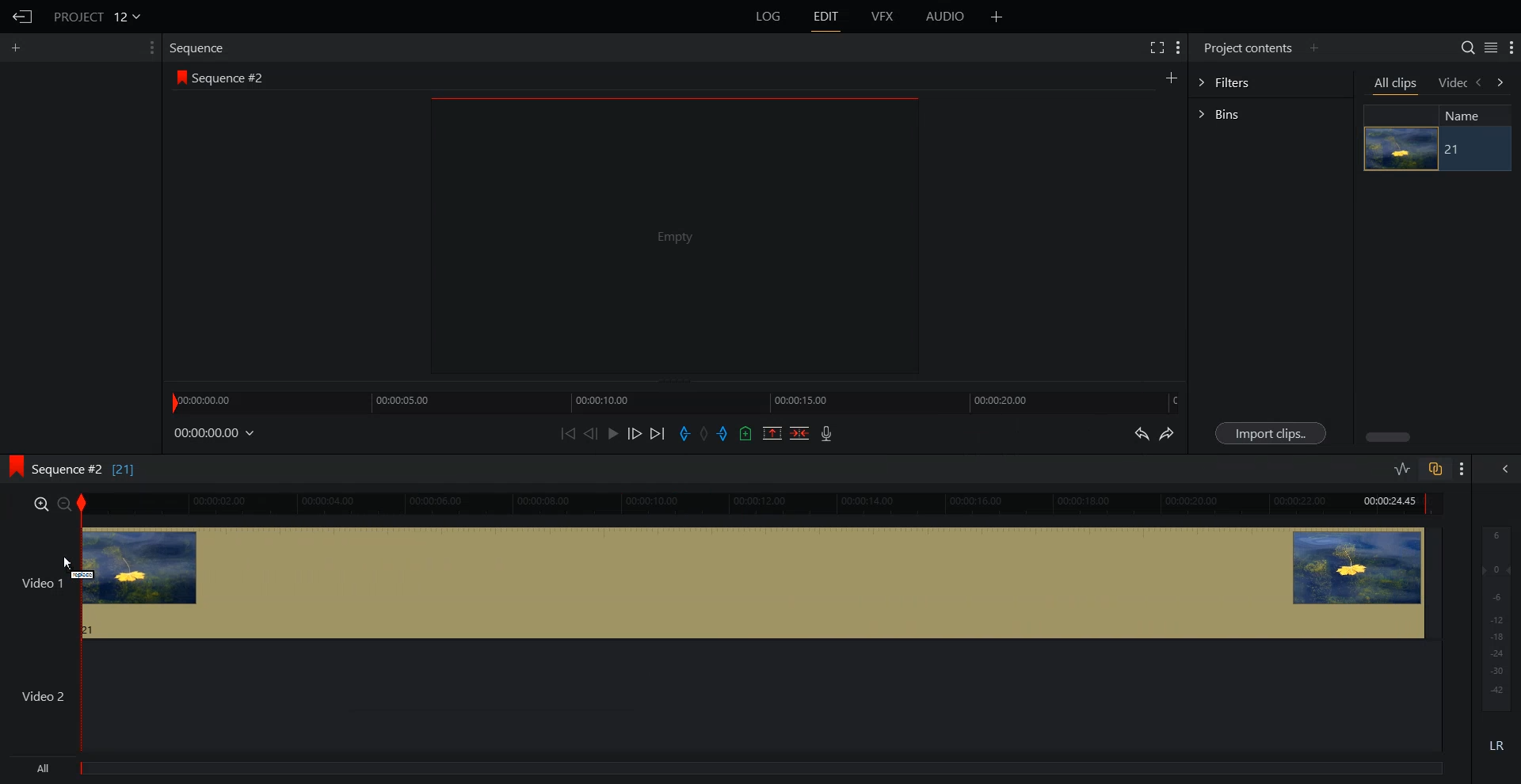 The height and width of the screenshot is (784, 1521). I want to click on Sequence, so click(200, 47).